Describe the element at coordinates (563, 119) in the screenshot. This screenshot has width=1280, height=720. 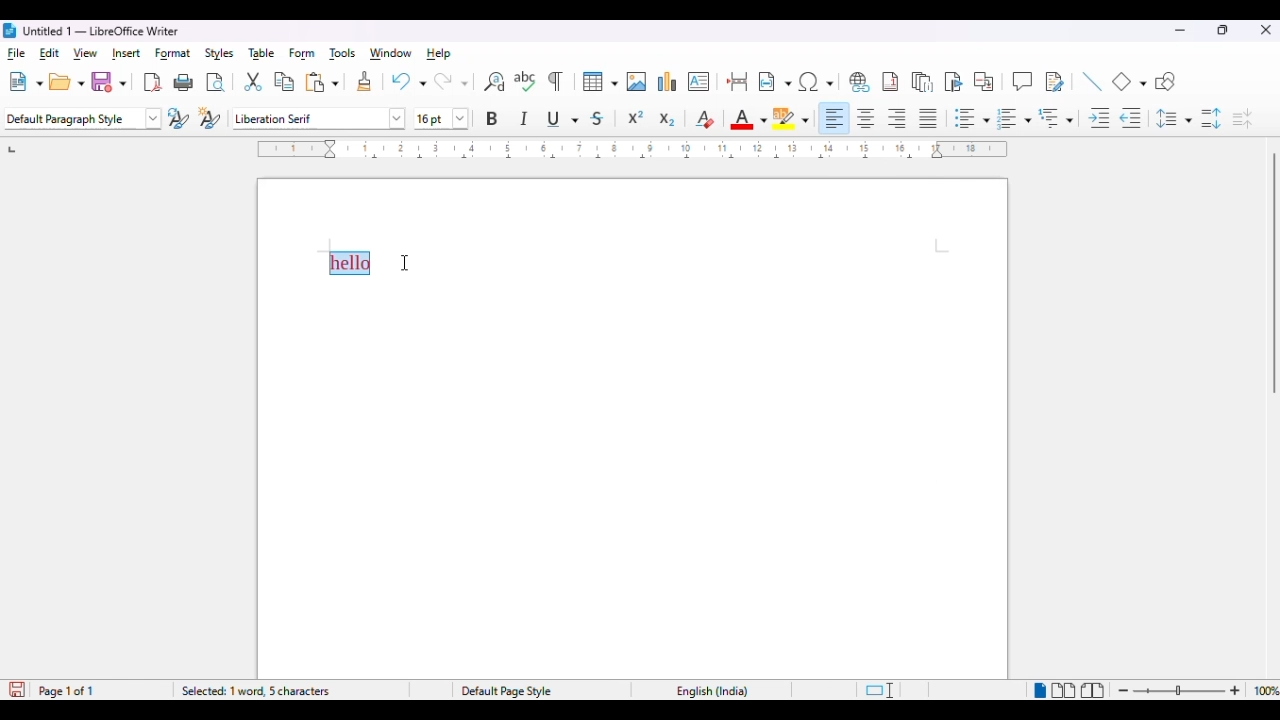
I see `underline` at that location.